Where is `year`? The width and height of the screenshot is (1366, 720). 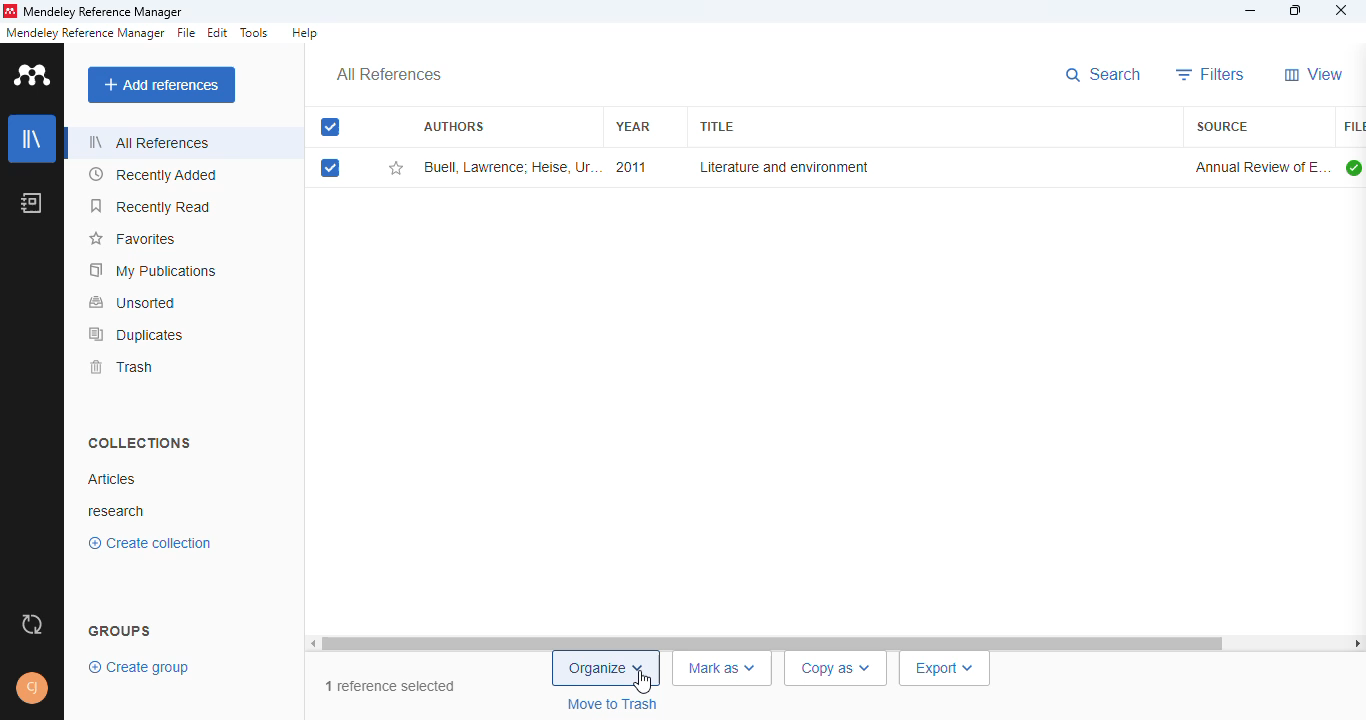 year is located at coordinates (633, 126).